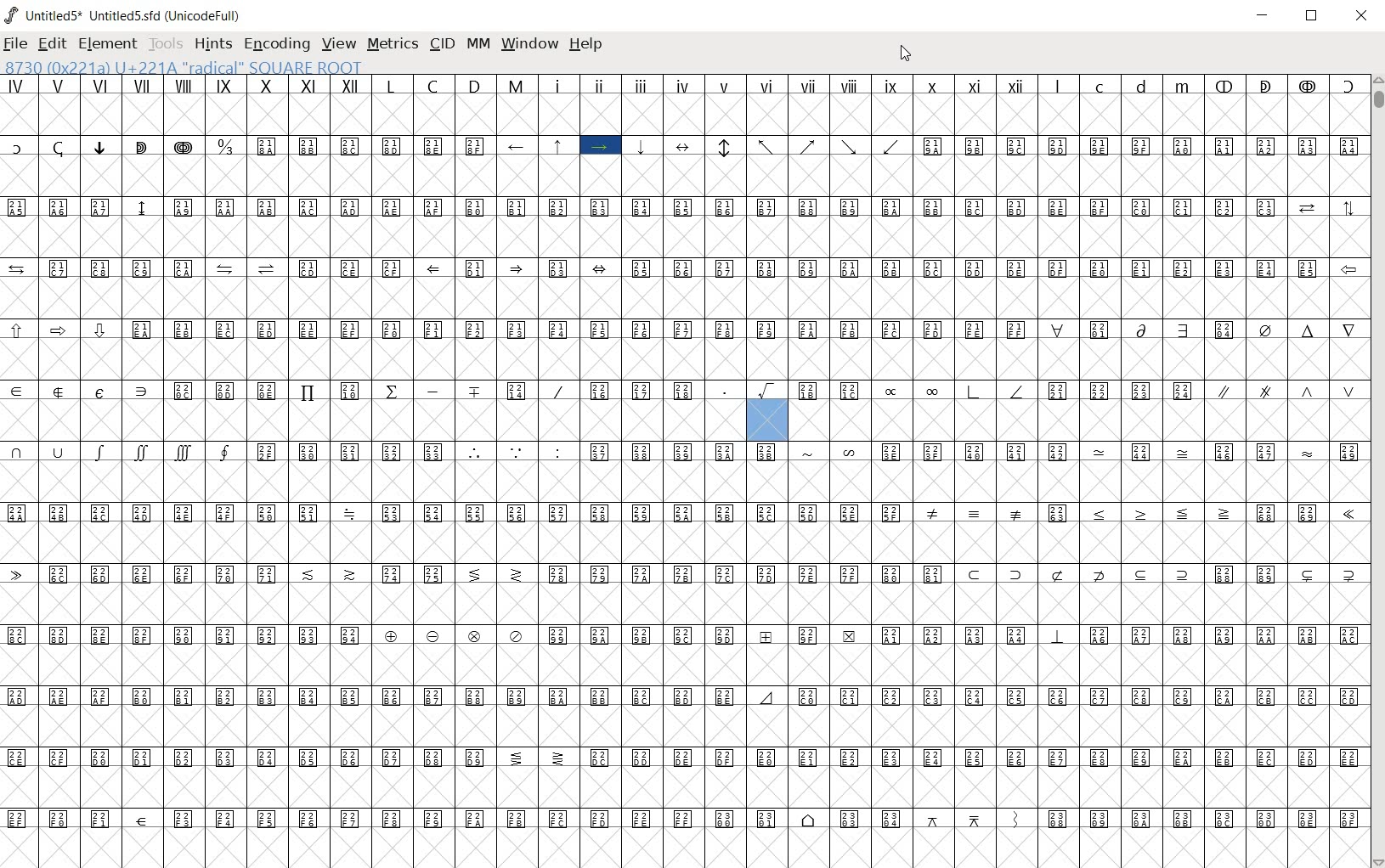  I want to click on METRICS, so click(390, 45).